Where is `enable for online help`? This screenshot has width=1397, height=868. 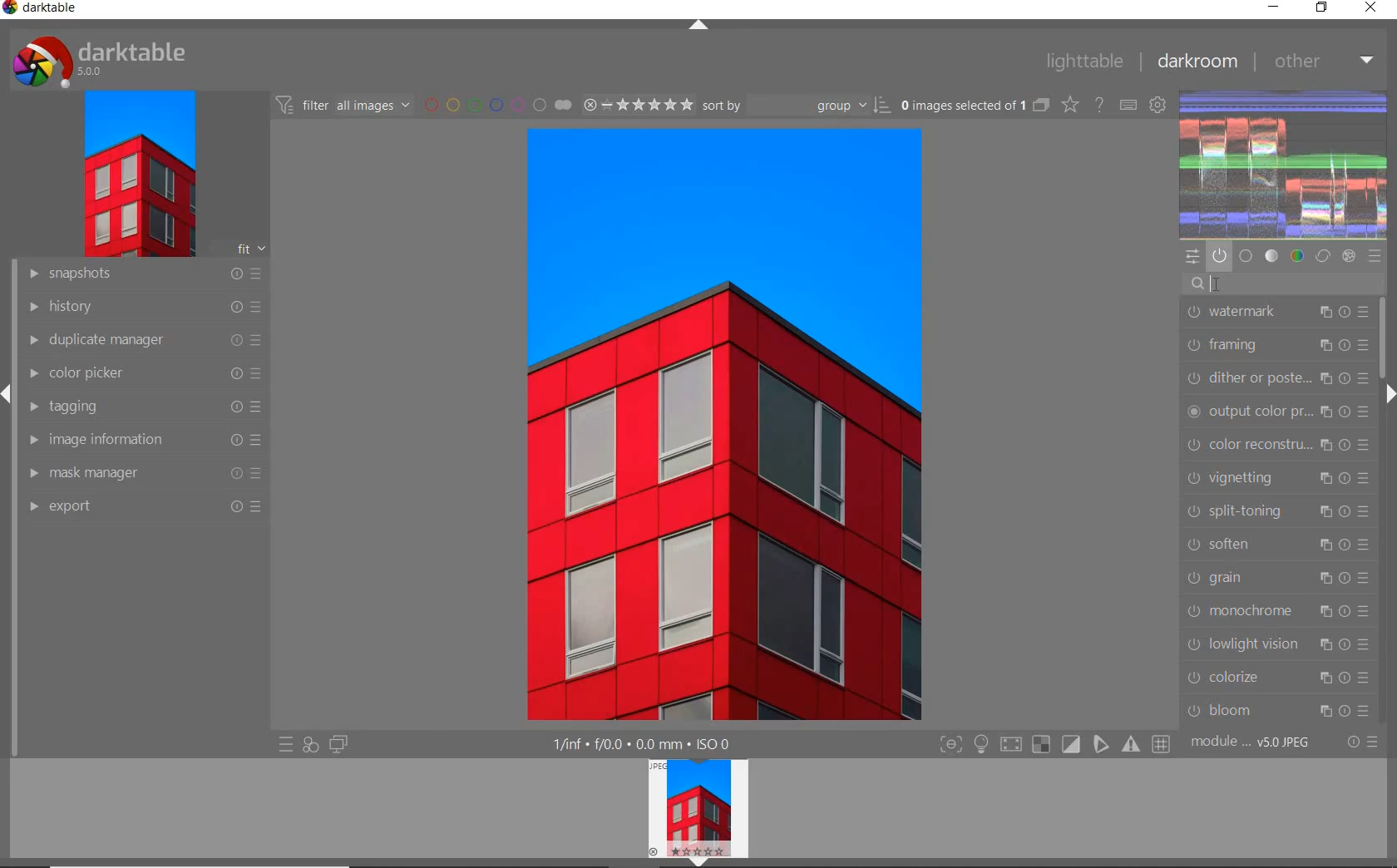 enable for online help is located at coordinates (1100, 104).